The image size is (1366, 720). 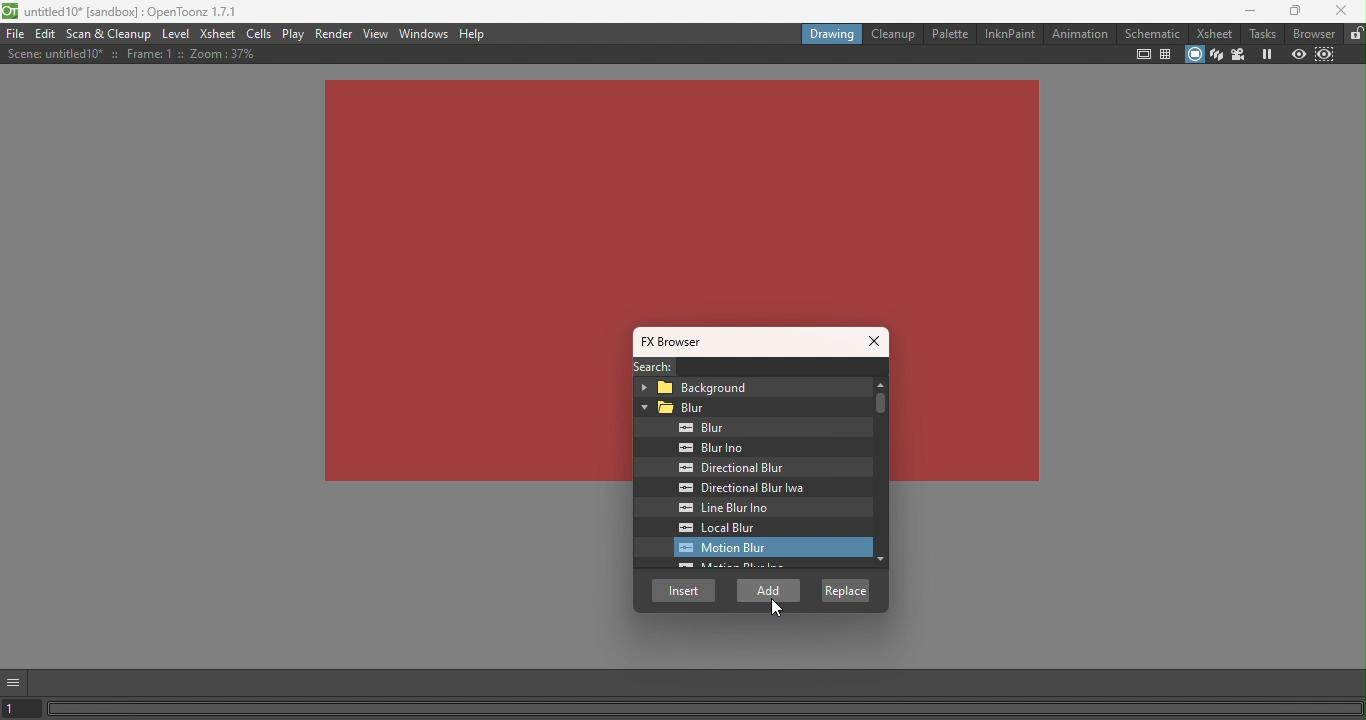 I want to click on Cleanup, so click(x=892, y=33).